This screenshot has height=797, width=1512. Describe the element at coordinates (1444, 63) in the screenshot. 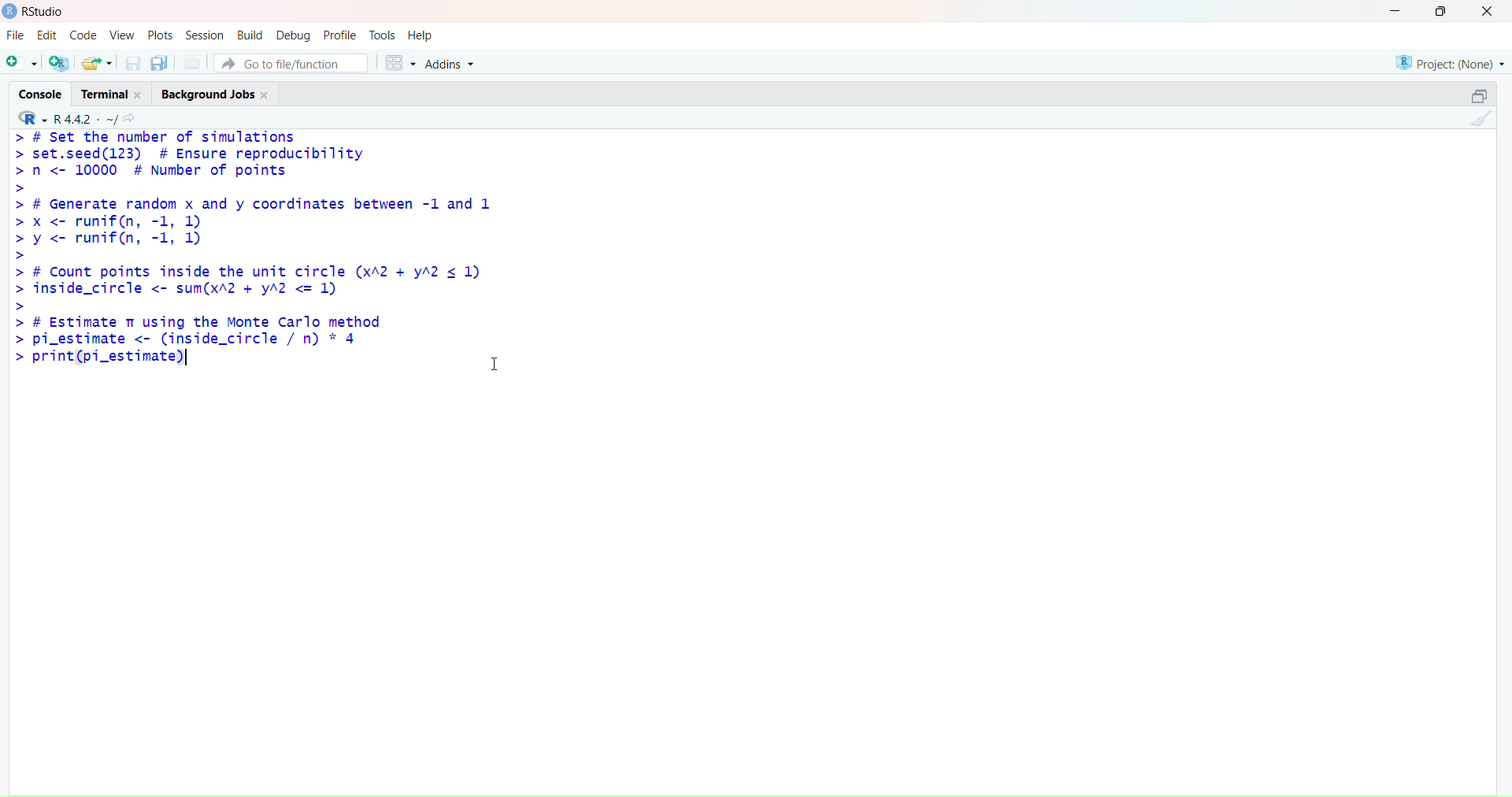

I see `Project (Note)` at that location.